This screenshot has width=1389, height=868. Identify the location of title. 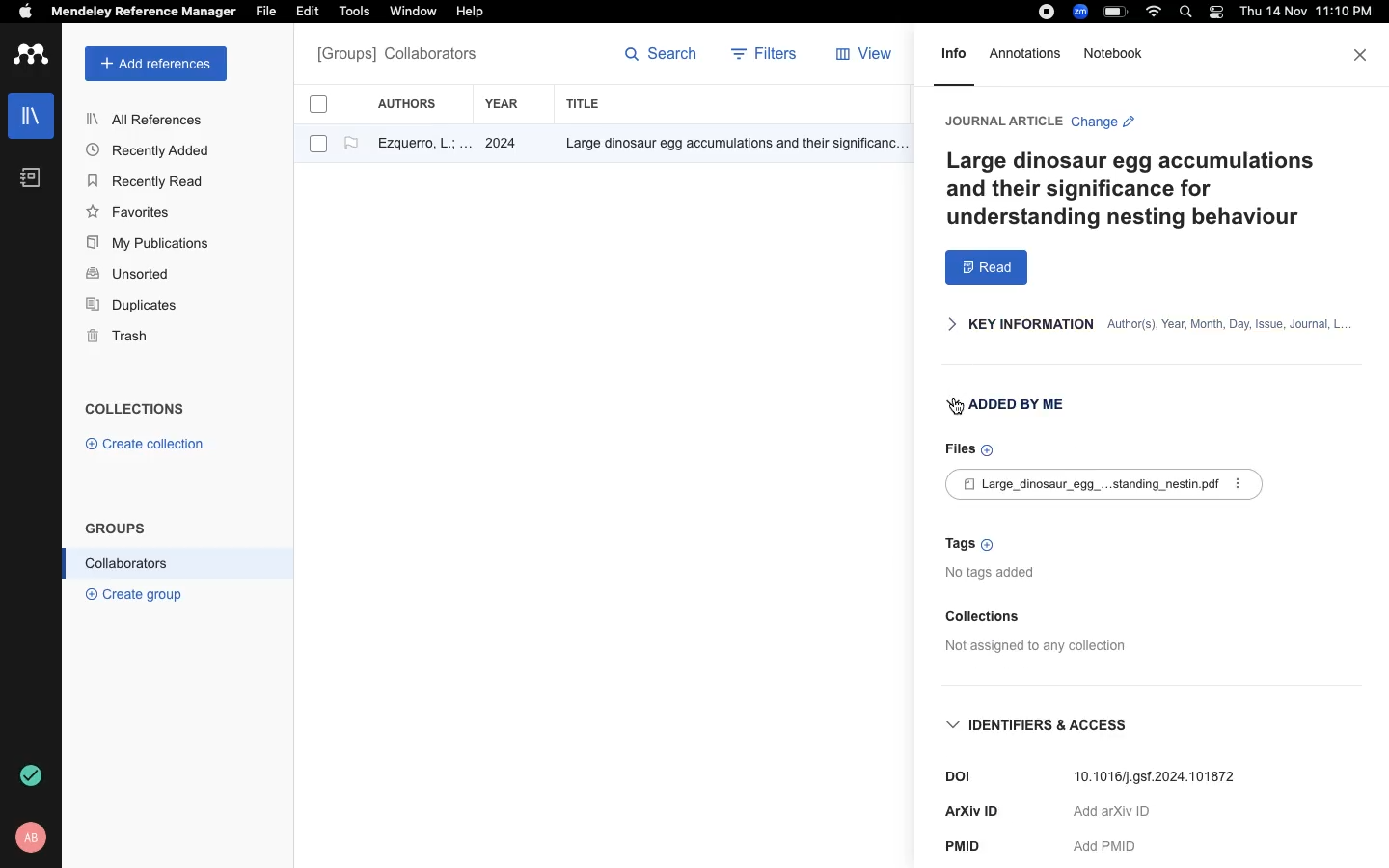
(586, 103).